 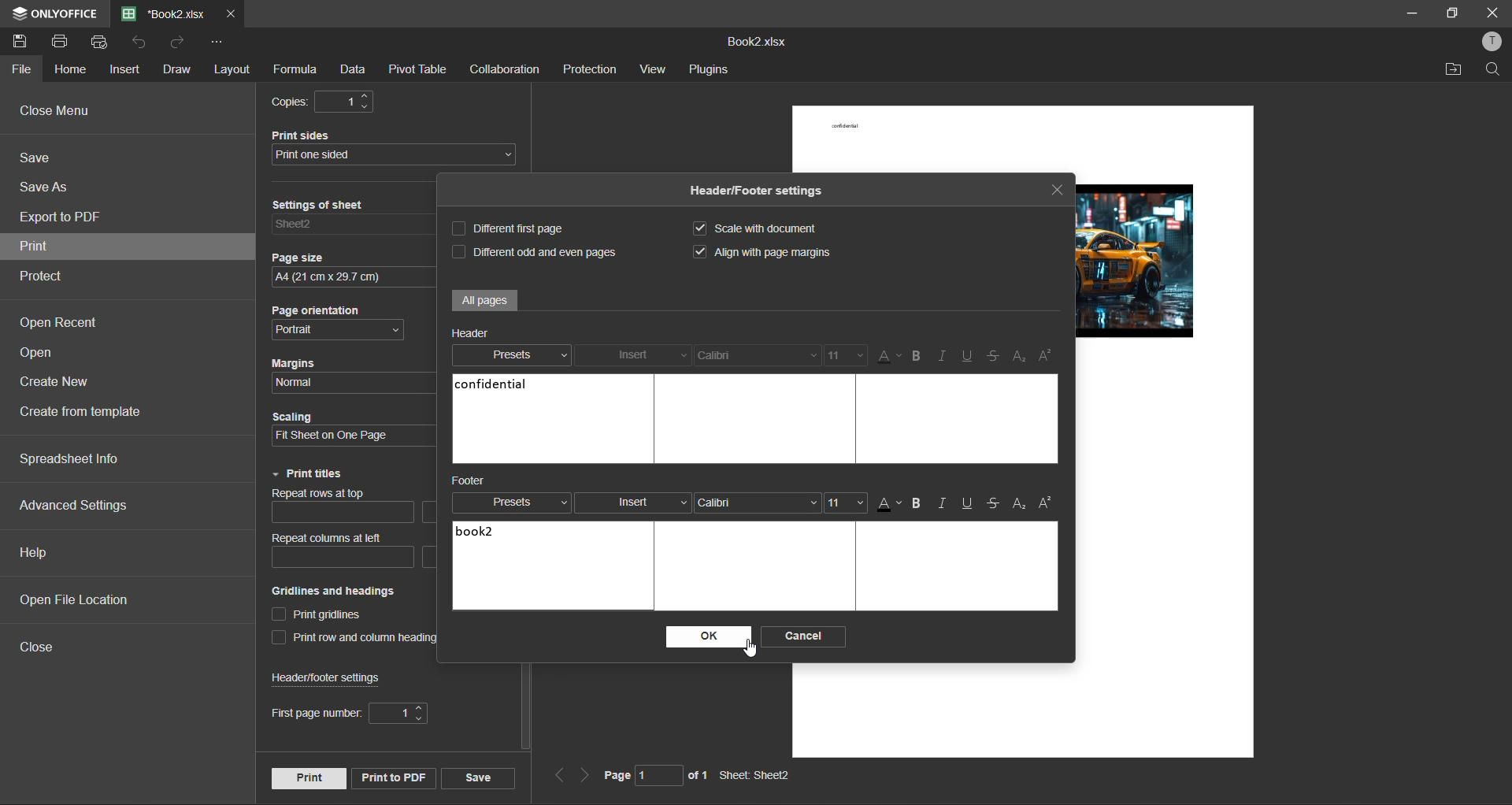 I want to click on collaboration, so click(x=508, y=70).